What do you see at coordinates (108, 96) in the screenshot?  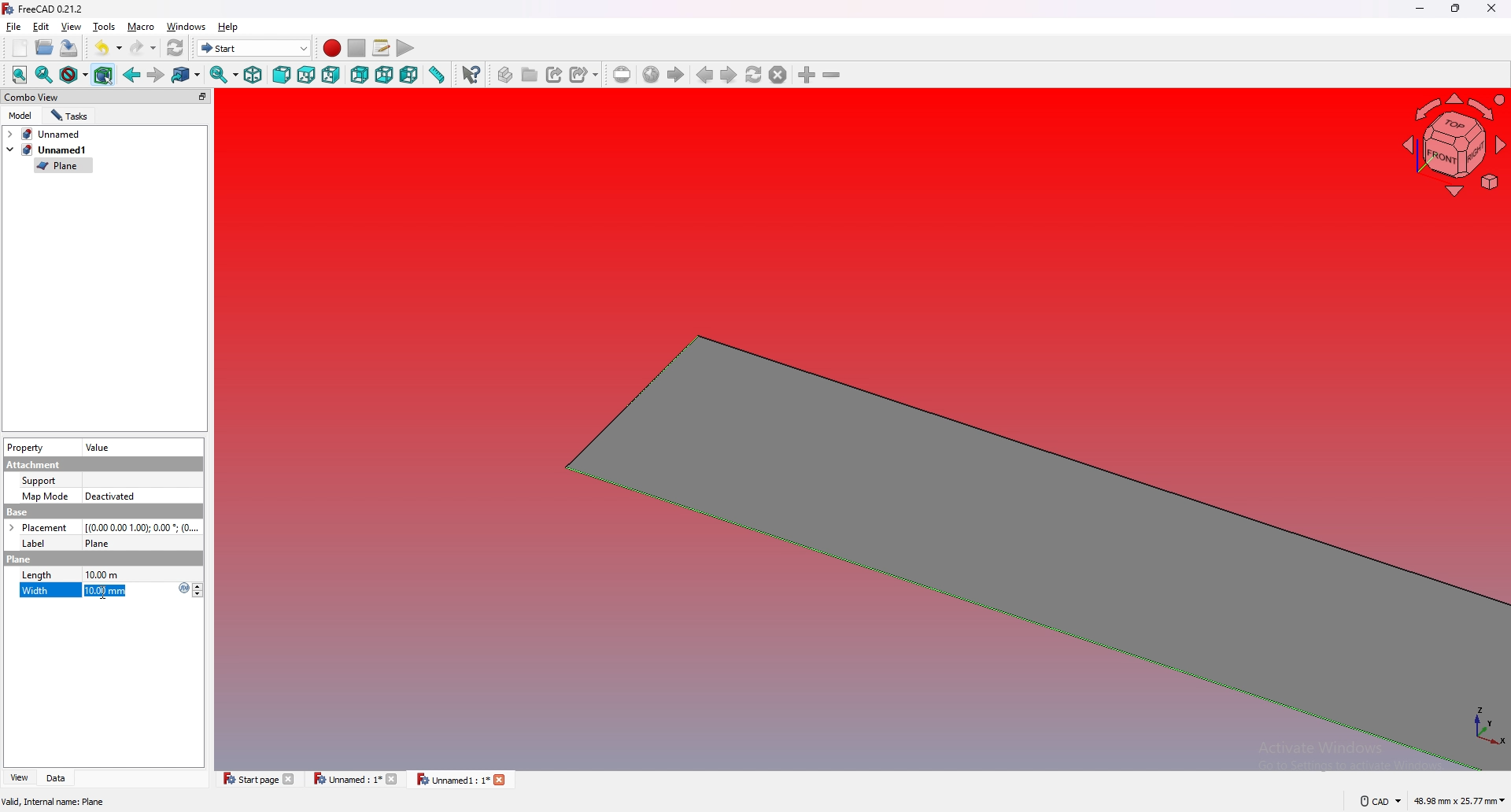 I see `combo view` at bounding box center [108, 96].